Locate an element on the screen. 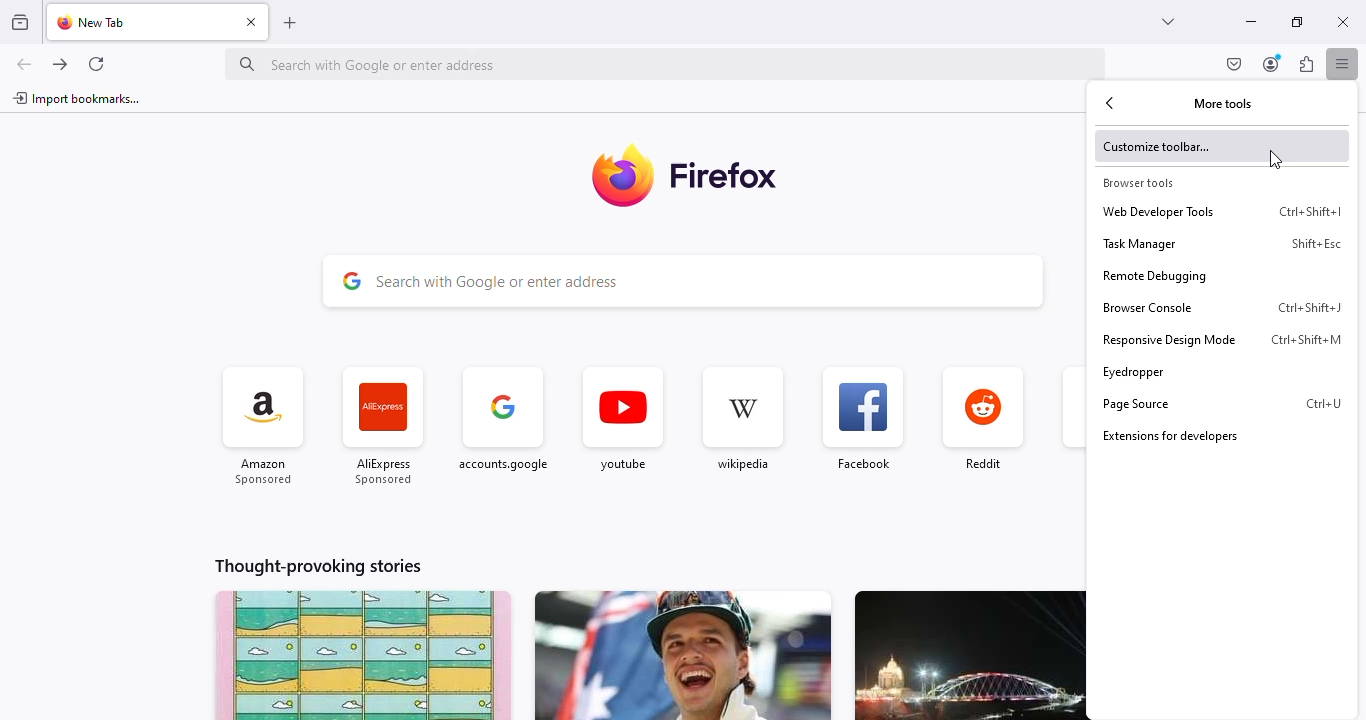 Image resolution: width=1366 pixels, height=720 pixels. go back one page is located at coordinates (24, 64).